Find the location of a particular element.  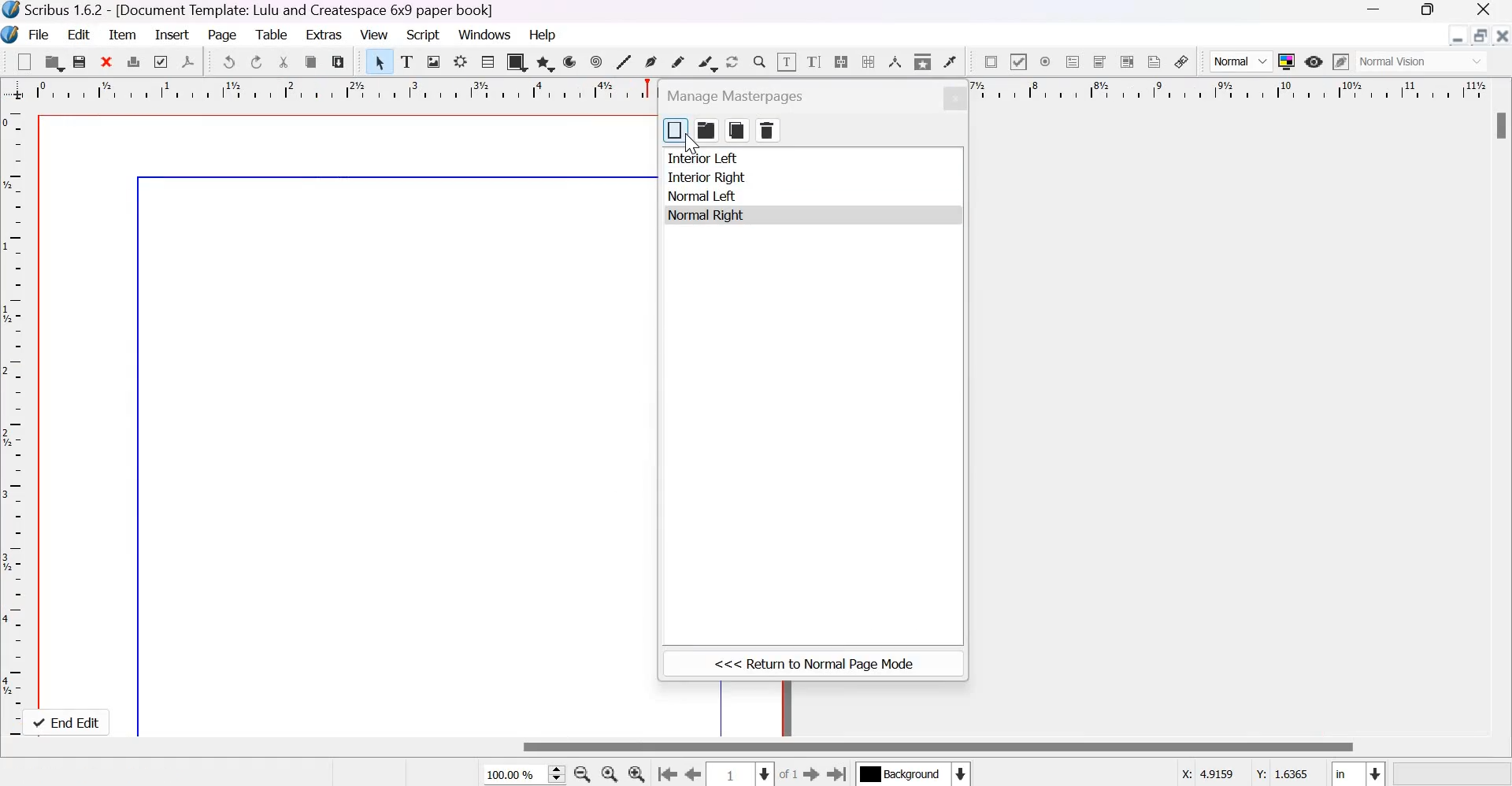

spiral is located at coordinates (597, 61).